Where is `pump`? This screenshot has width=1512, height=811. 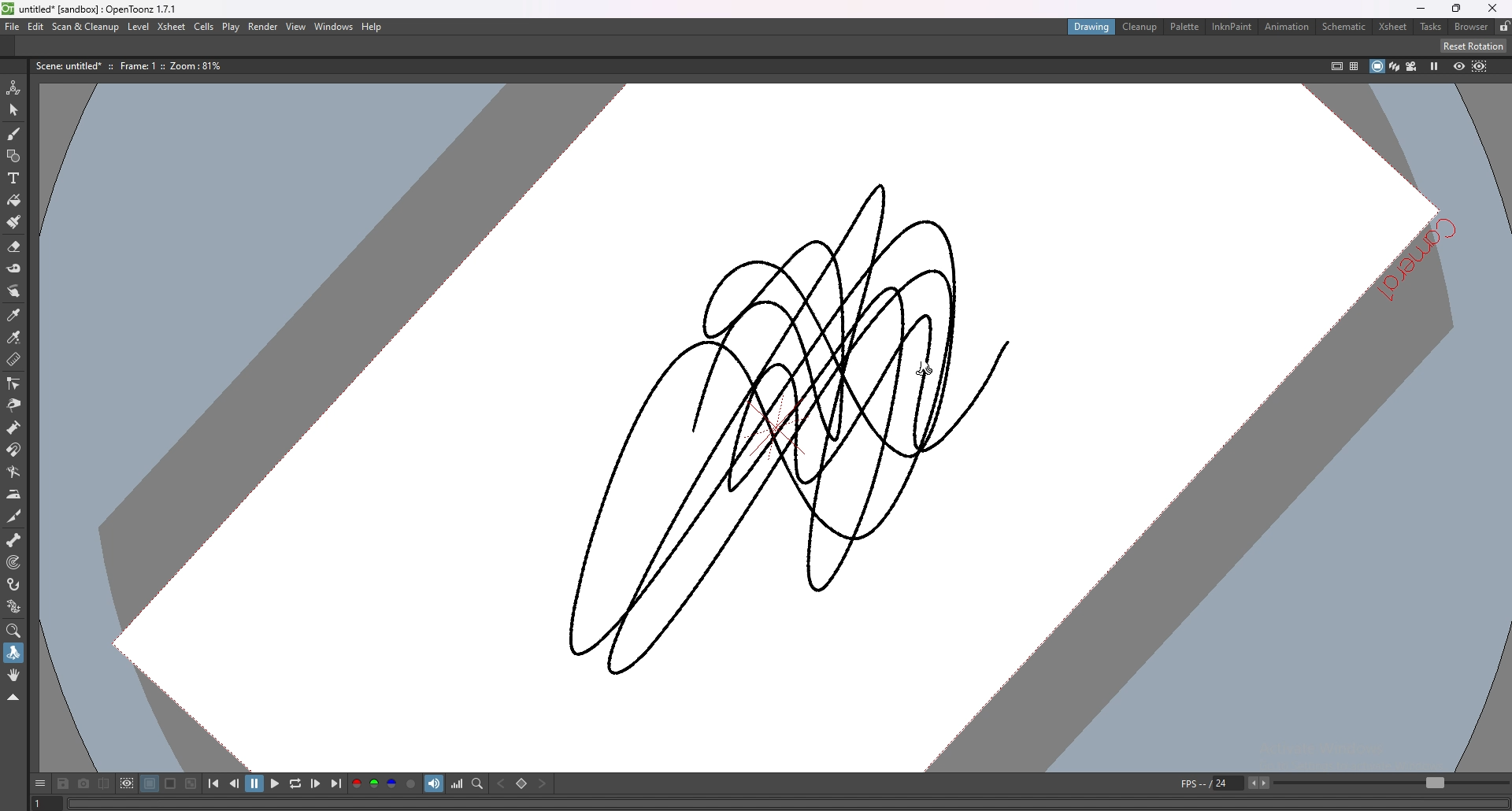 pump is located at coordinates (13, 427).